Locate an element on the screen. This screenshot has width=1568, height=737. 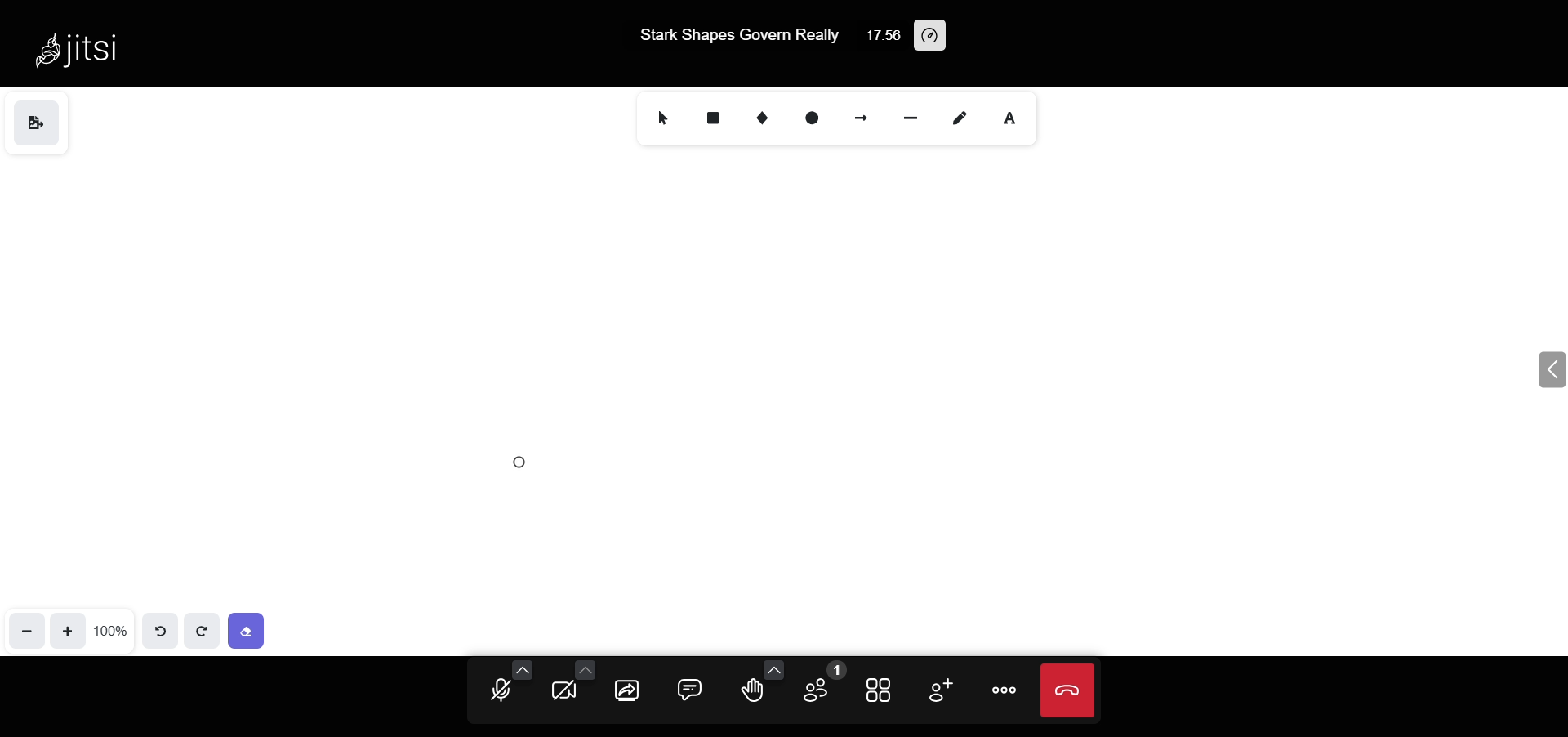
eraser cursor is located at coordinates (531, 466).